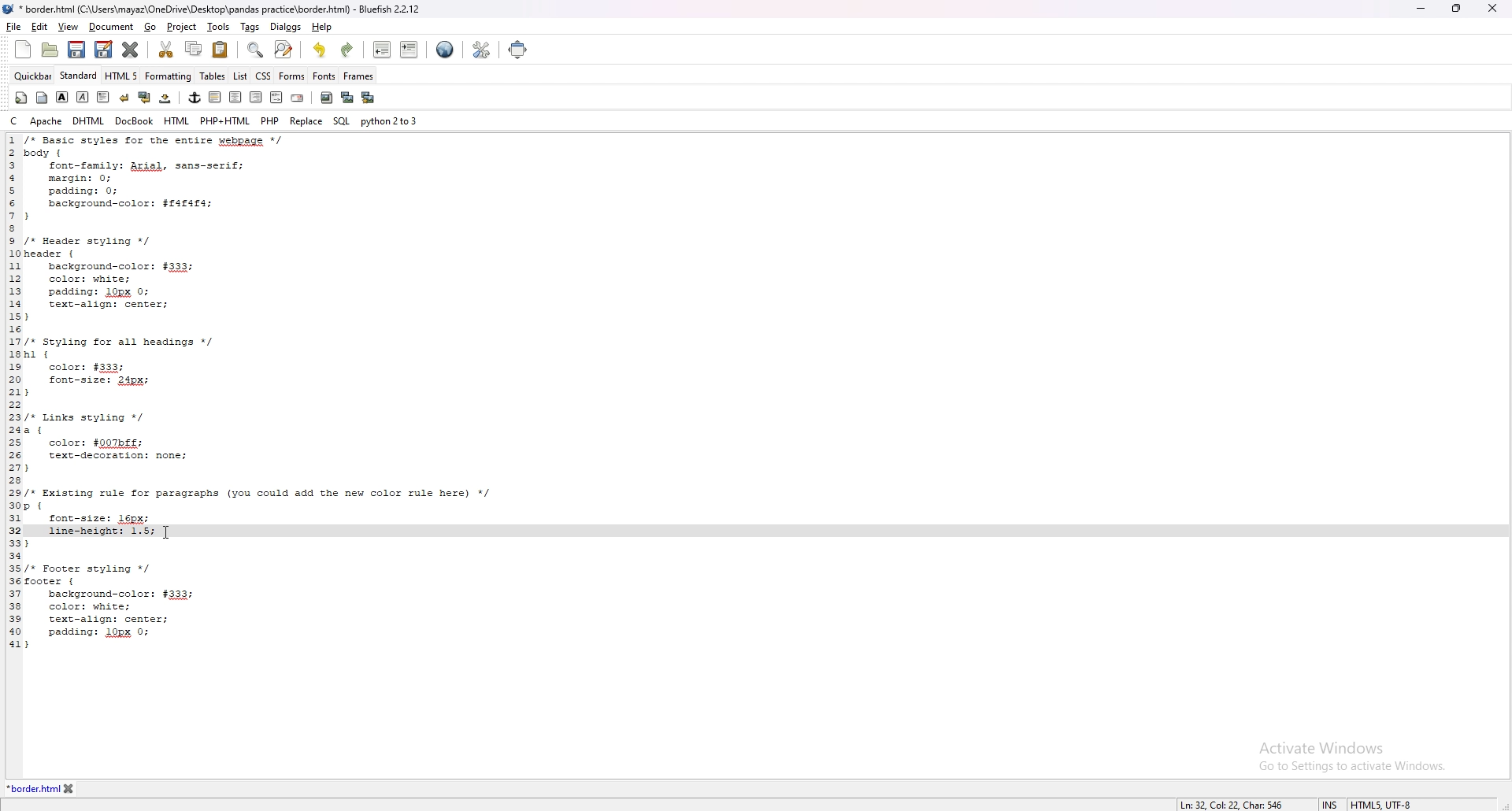 This screenshot has width=1512, height=811. I want to click on redo, so click(348, 50).